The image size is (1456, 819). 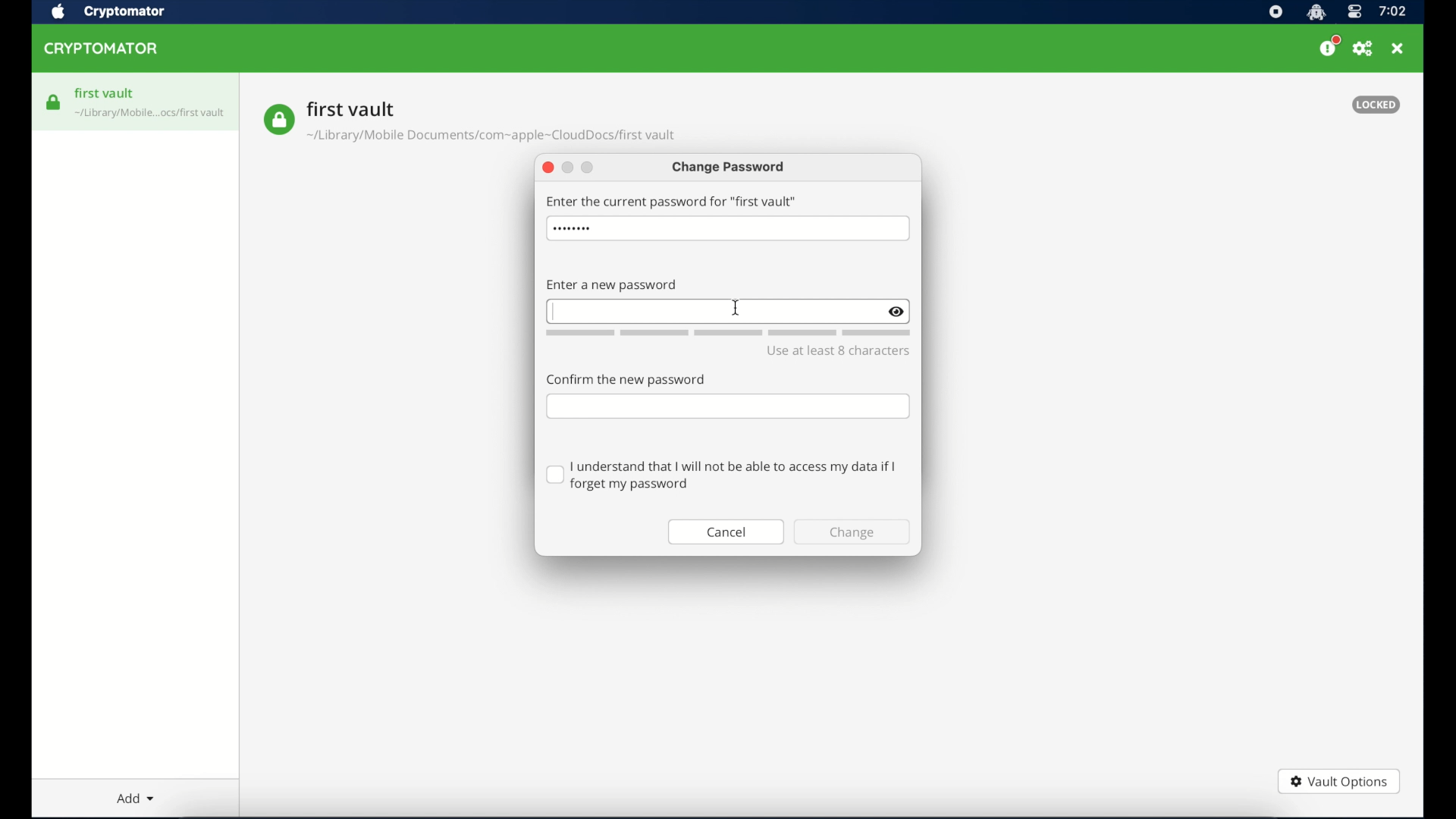 What do you see at coordinates (124, 13) in the screenshot?
I see `crytptomator` at bounding box center [124, 13].